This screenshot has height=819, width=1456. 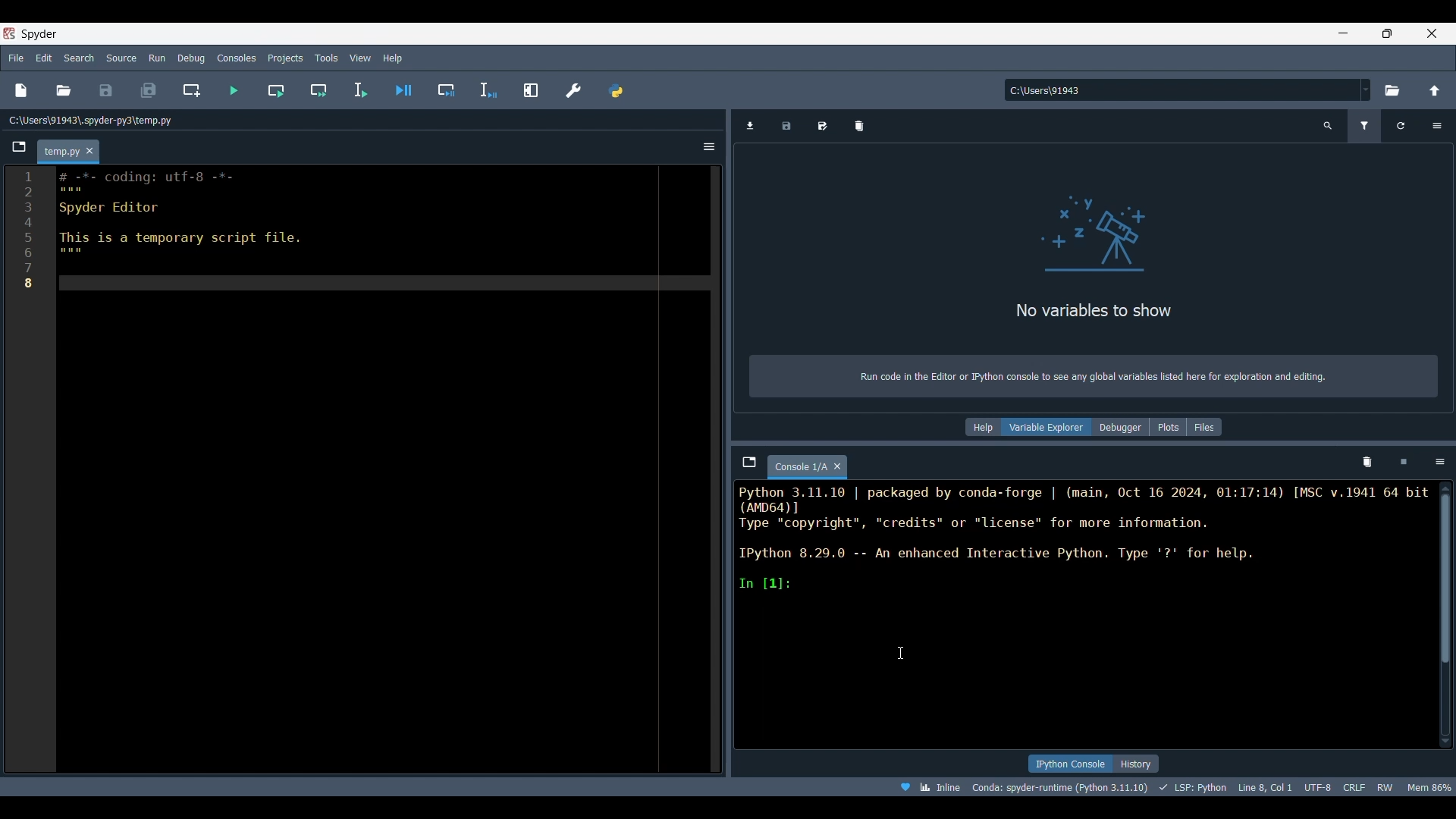 I want to click on Files, so click(x=1205, y=427).